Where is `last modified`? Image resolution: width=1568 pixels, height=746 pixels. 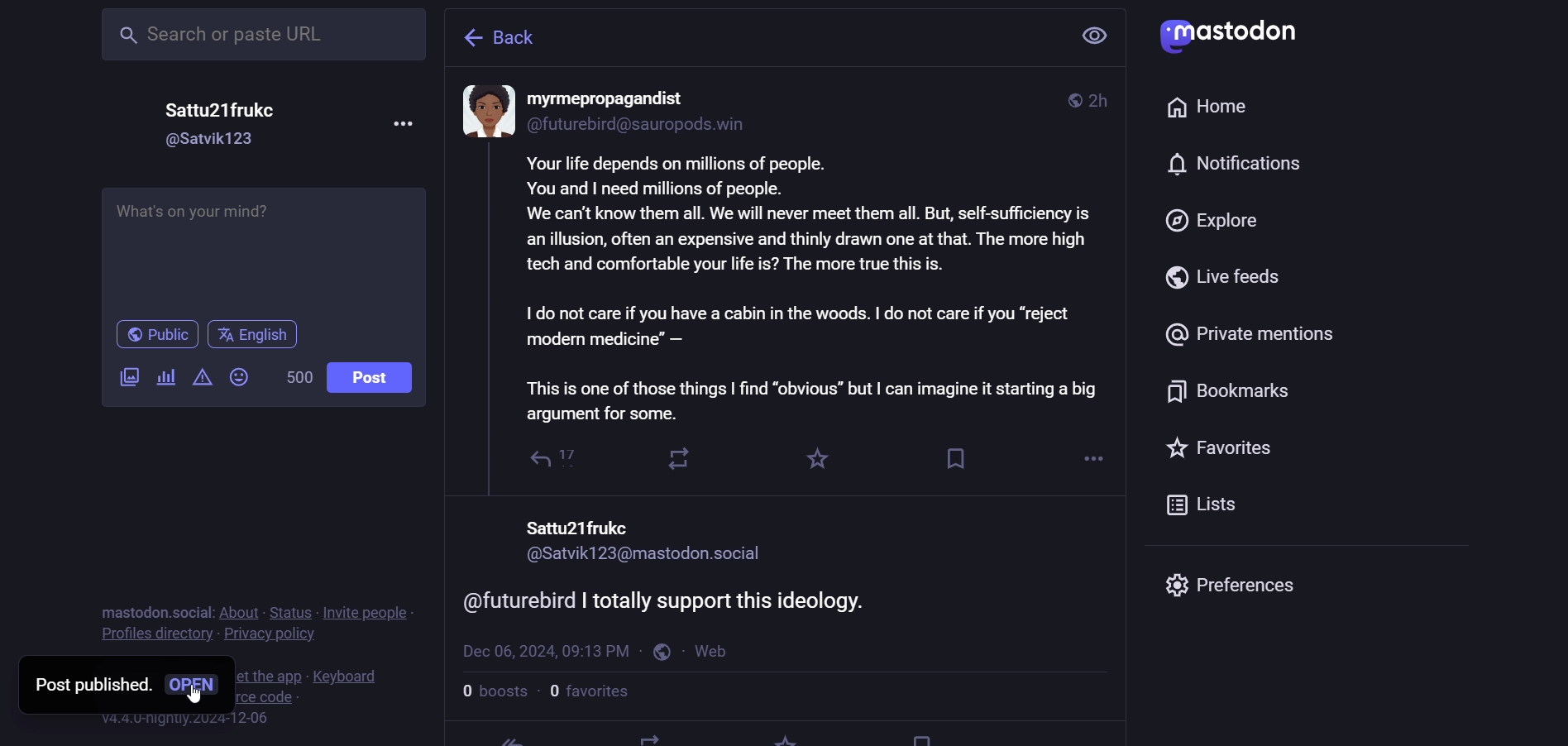
last modified is located at coordinates (542, 650).